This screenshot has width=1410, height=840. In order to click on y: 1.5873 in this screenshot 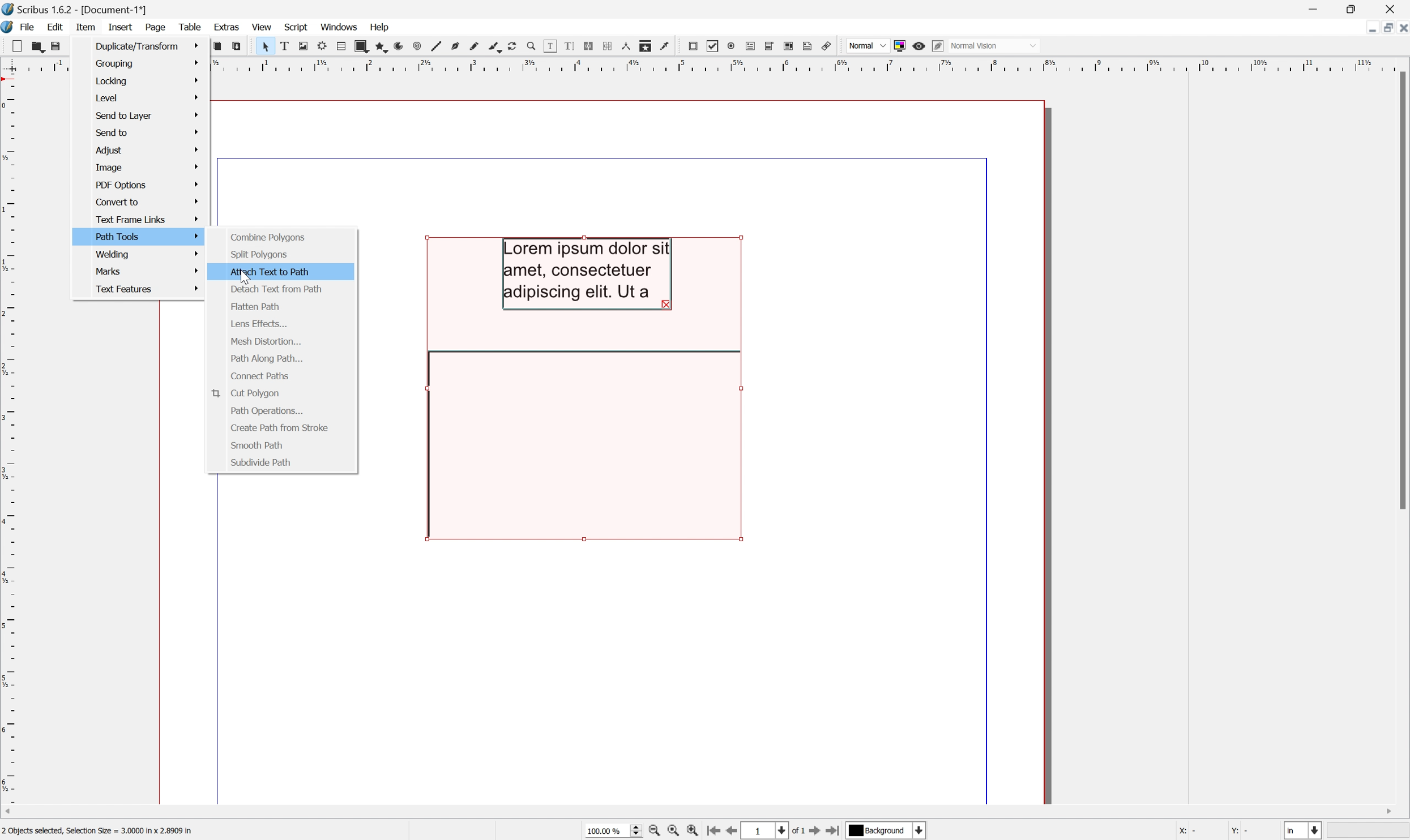, I will do `click(1249, 832)`.